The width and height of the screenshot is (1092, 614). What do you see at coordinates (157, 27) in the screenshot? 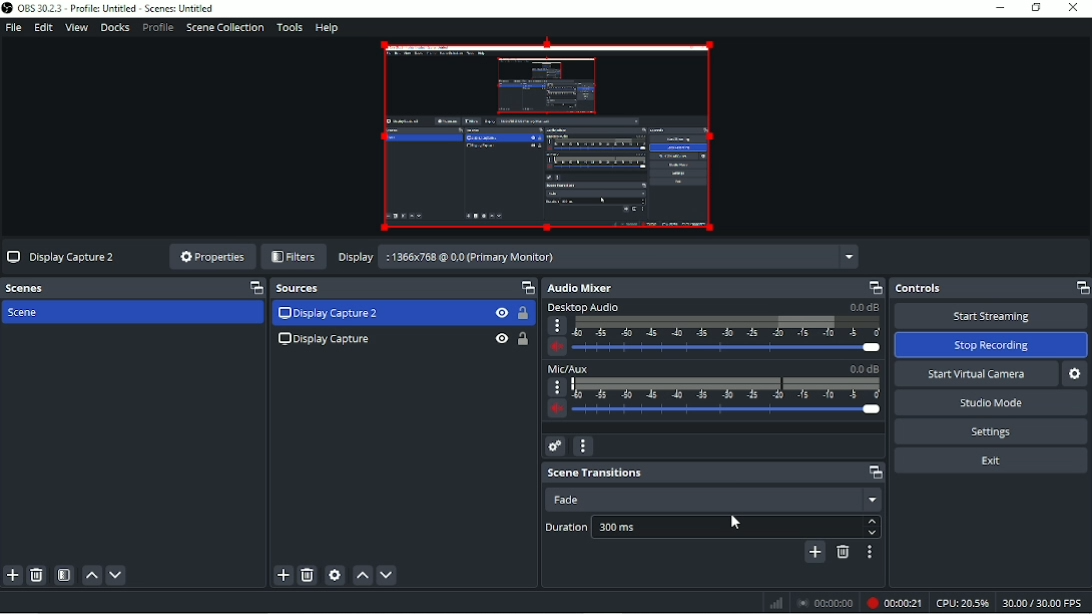
I see `Profile` at bounding box center [157, 27].